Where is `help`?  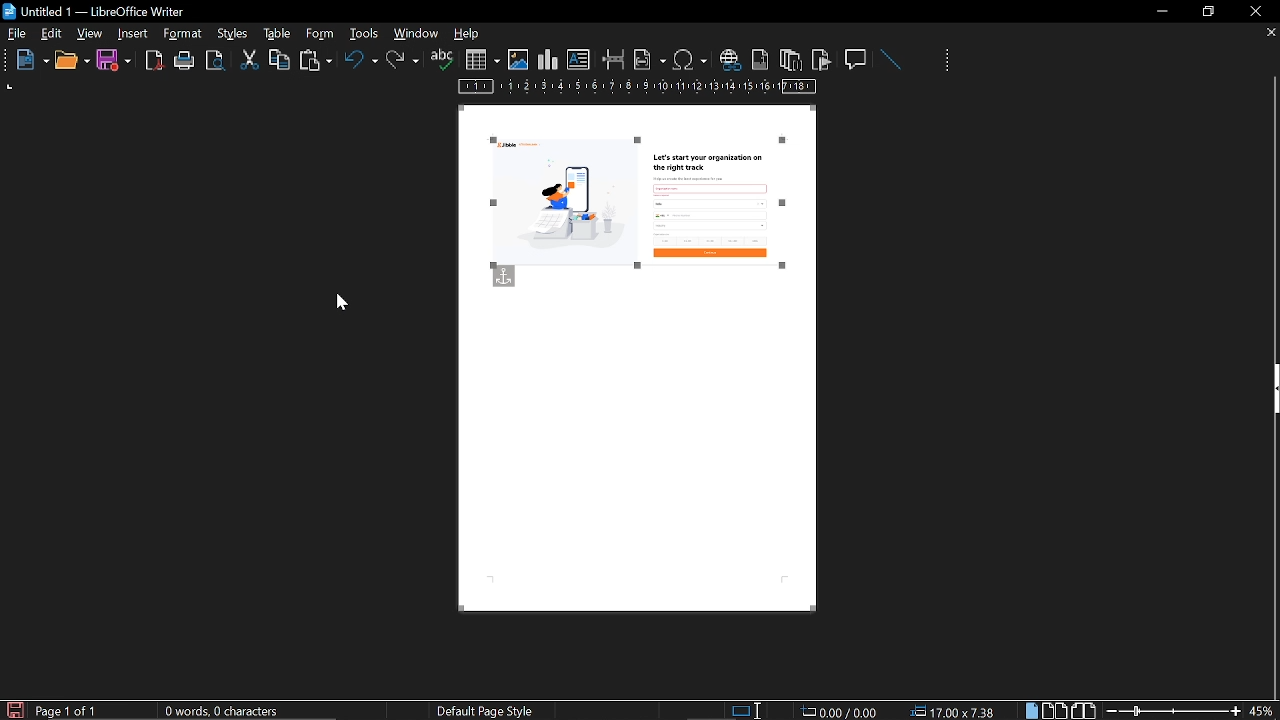 help is located at coordinates (470, 35).